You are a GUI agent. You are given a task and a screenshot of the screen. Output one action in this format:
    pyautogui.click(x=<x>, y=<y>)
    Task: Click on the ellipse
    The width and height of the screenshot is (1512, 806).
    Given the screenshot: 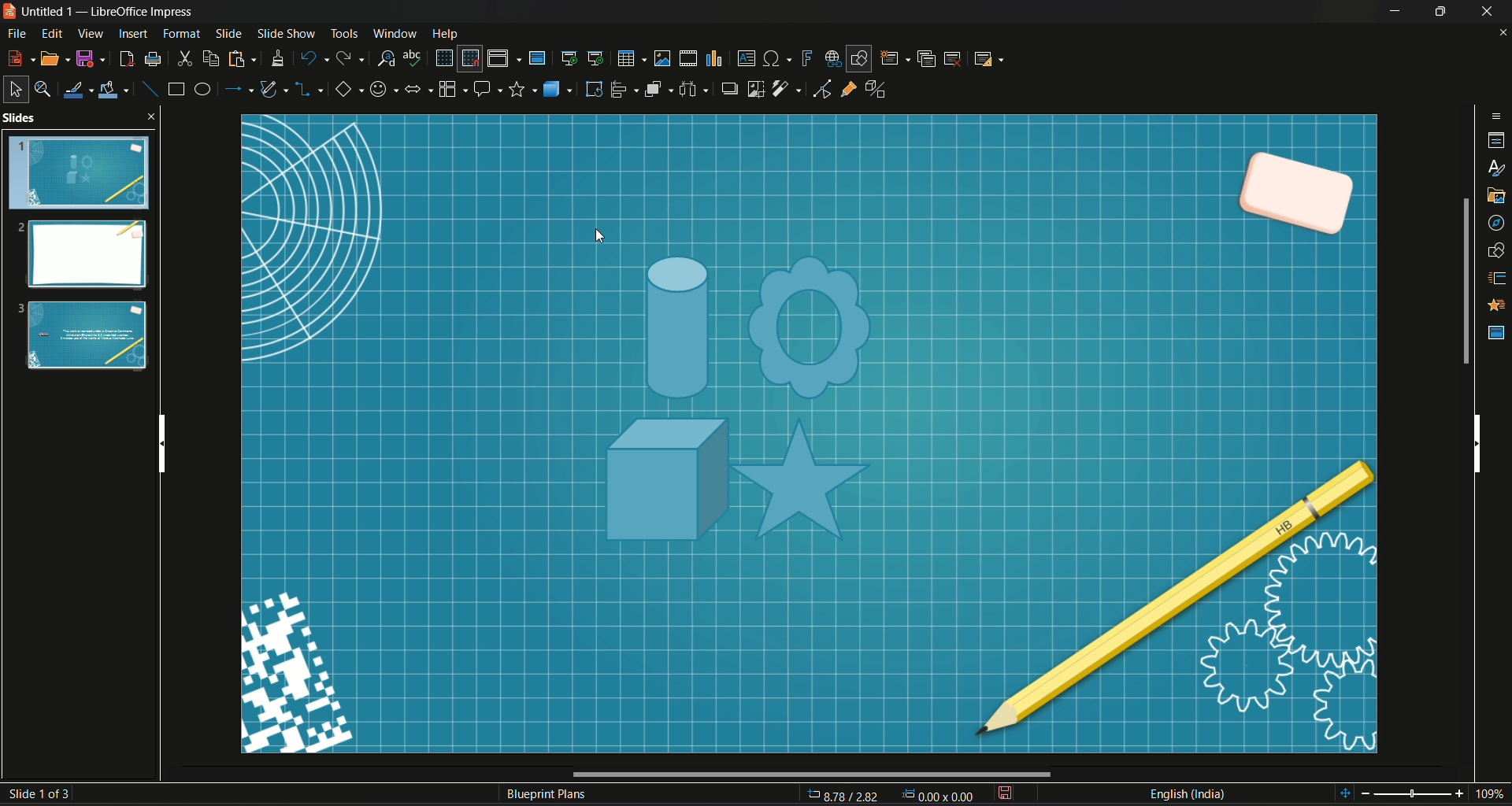 What is the action you would take?
    pyautogui.click(x=201, y=88)
    